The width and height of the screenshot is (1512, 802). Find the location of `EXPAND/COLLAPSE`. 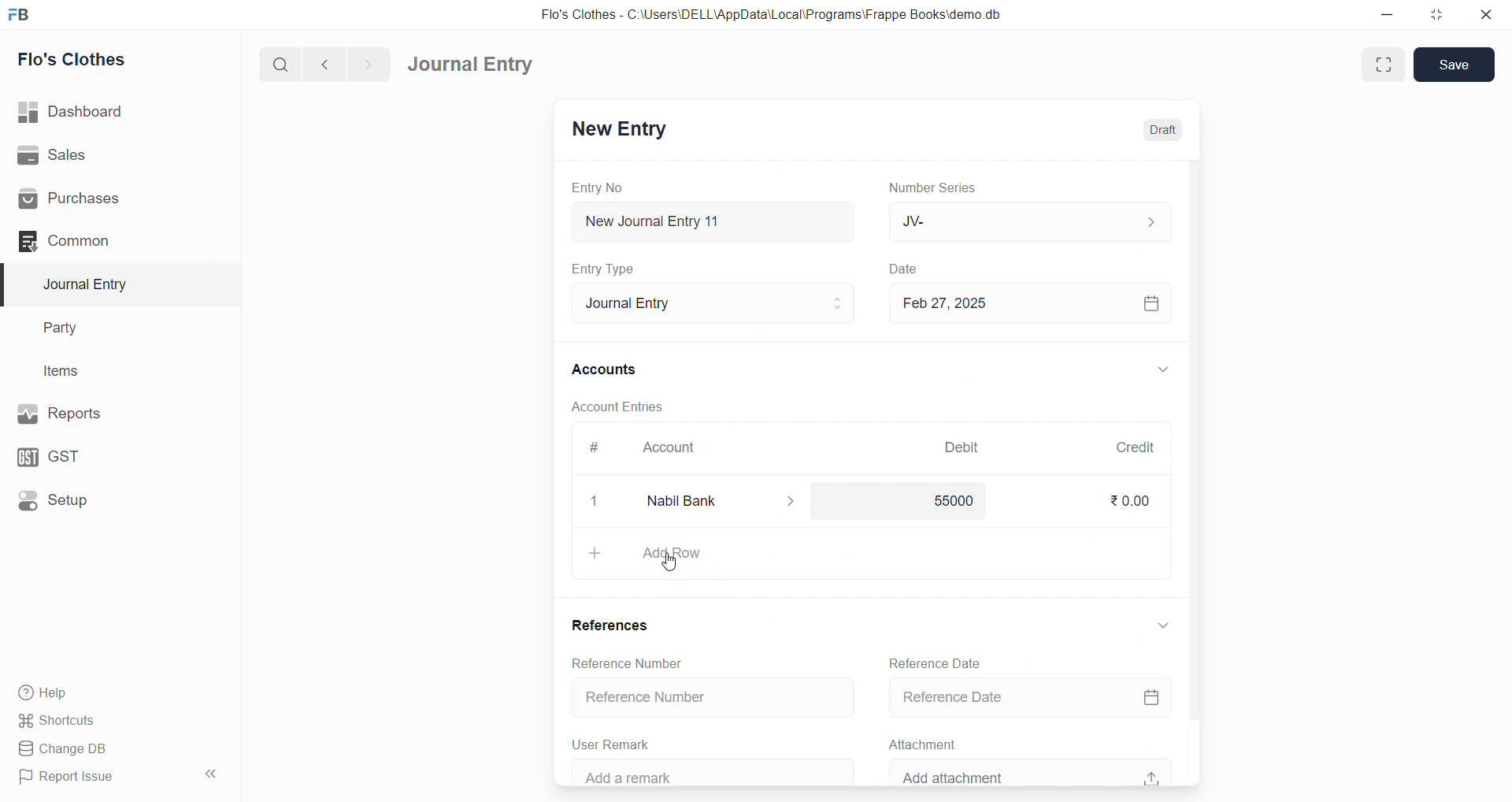

EXPAND/COLLAPSE is located at coordinates (1163, 629).